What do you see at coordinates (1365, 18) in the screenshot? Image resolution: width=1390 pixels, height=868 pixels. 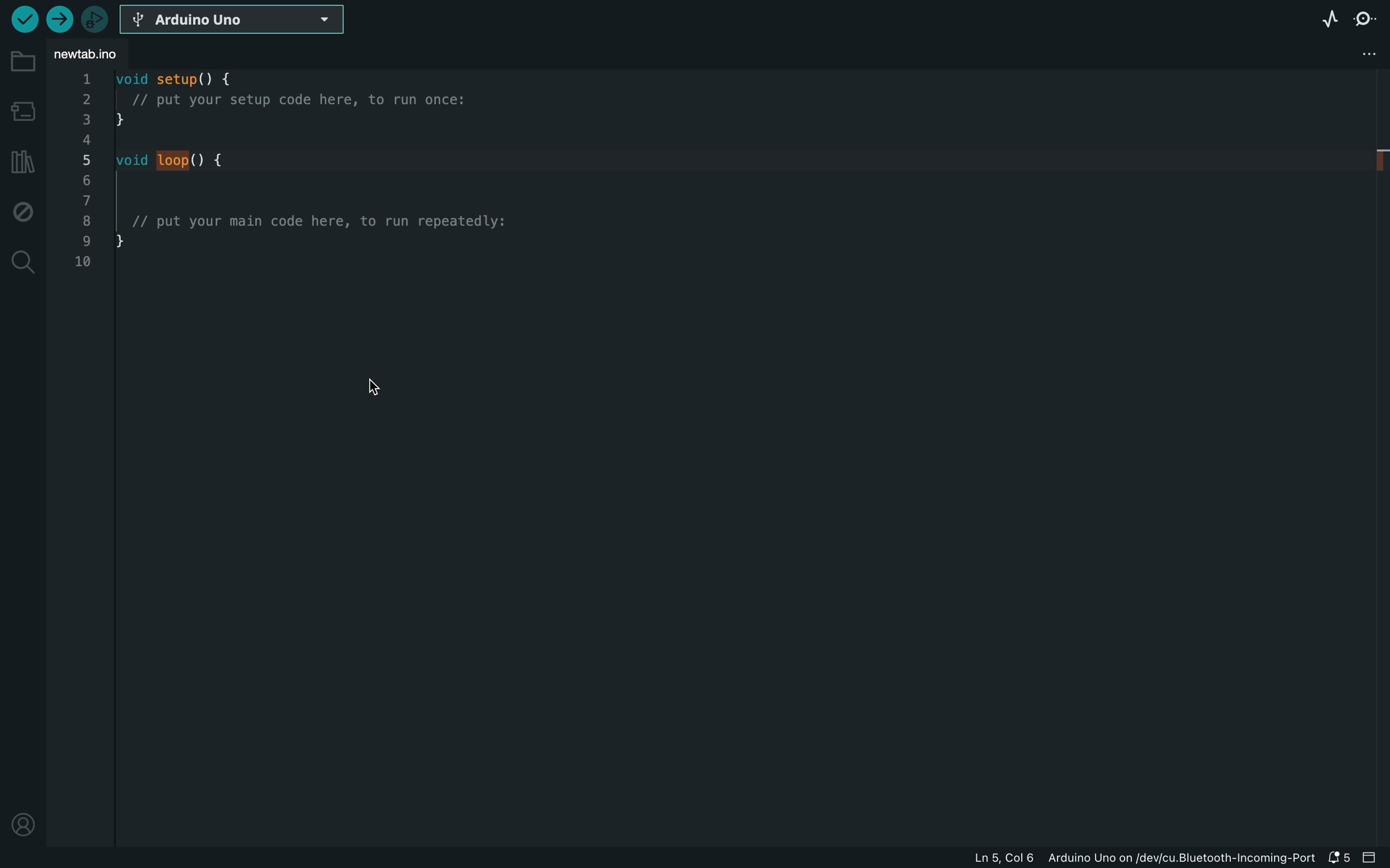 I see `serial monitor` at bounding box center [1365, 18].